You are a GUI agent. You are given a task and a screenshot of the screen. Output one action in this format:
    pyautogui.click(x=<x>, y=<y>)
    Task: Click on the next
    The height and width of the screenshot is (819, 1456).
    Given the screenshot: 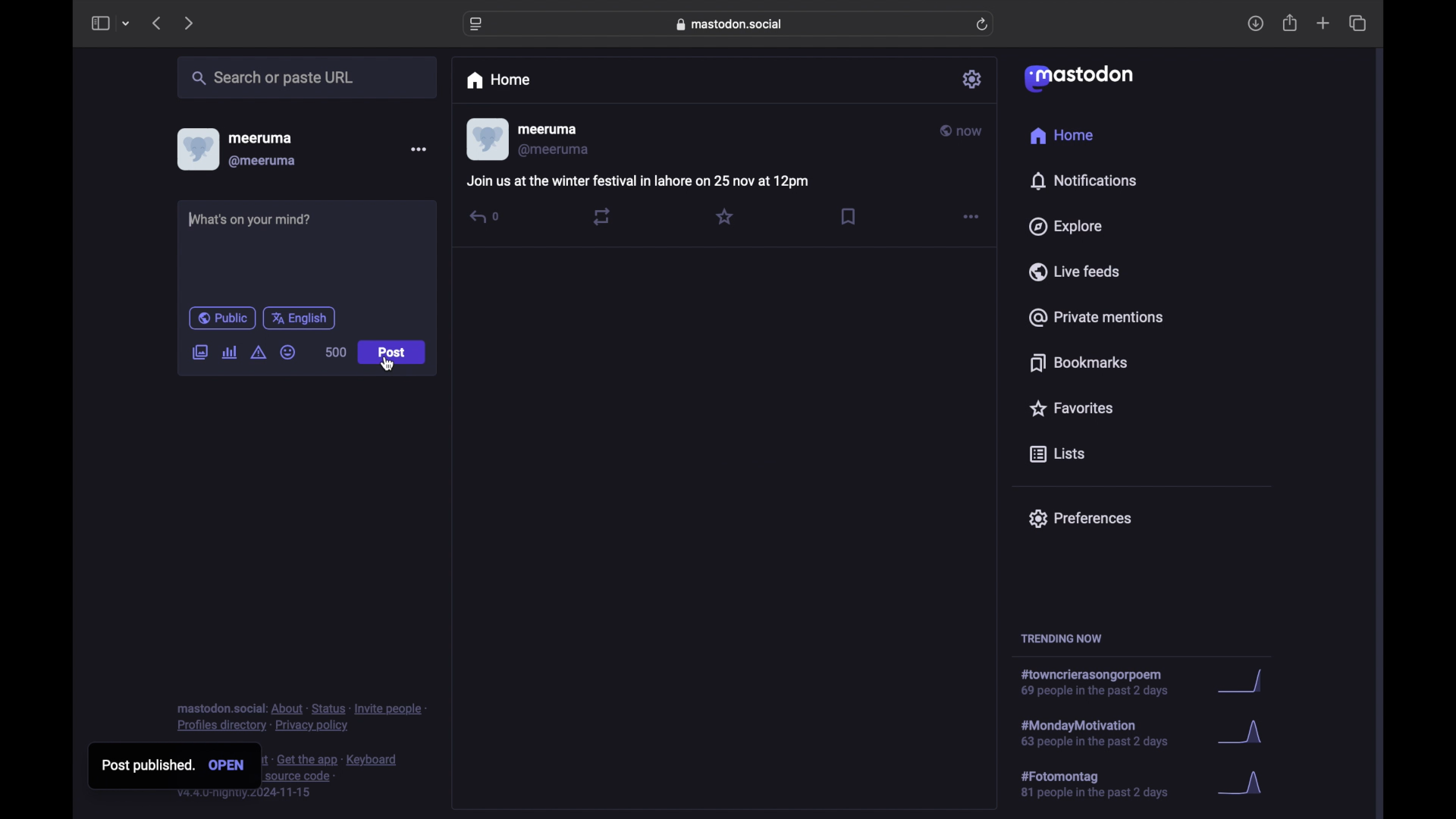 What is the action you would take?
    pyautogui.click(x=190, y=23)
    